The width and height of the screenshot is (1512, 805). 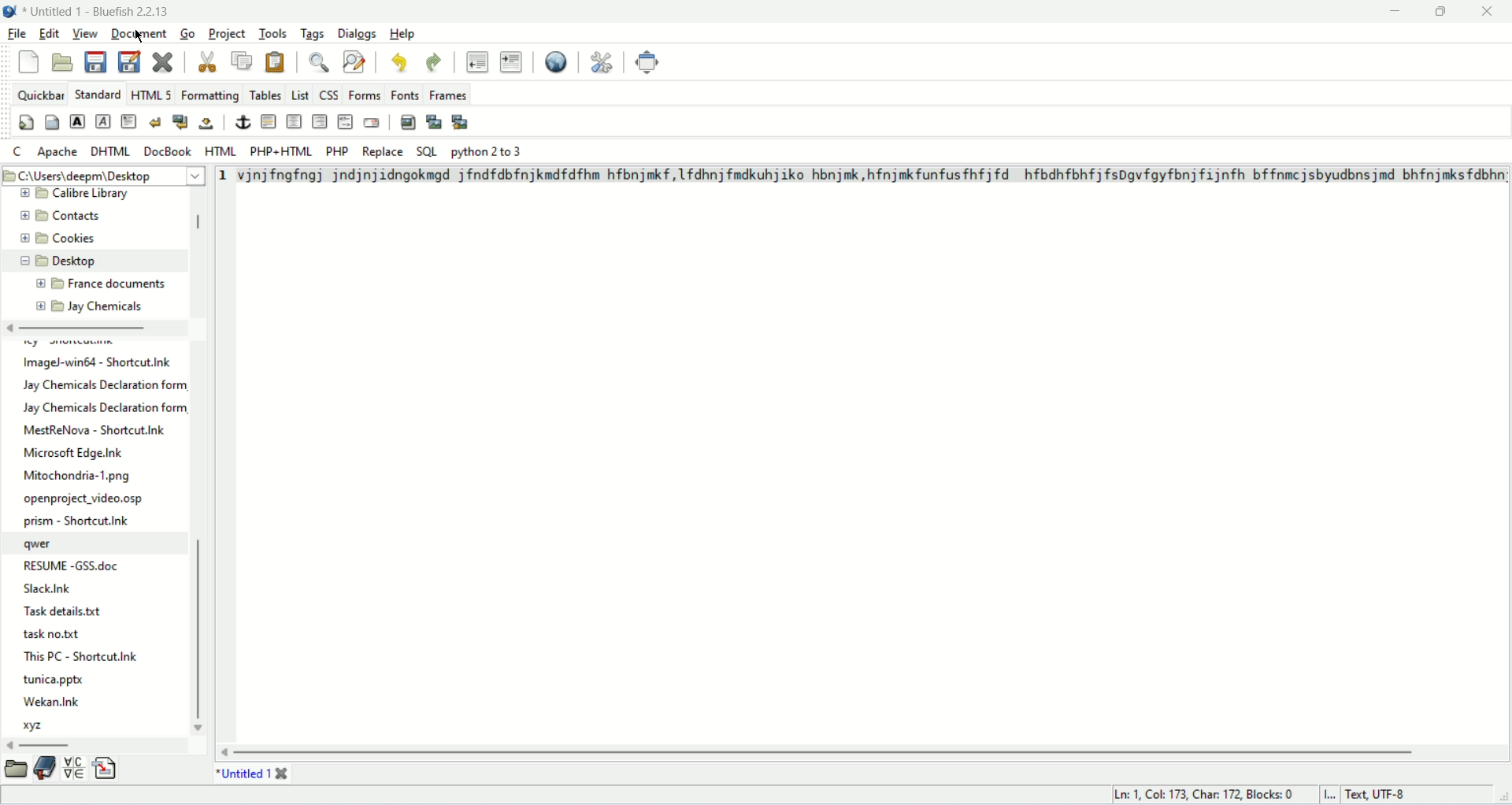 What do you see at coordinates (107, 770) in the screenshot?
I see `snippet` at bounding box center [107, 770].